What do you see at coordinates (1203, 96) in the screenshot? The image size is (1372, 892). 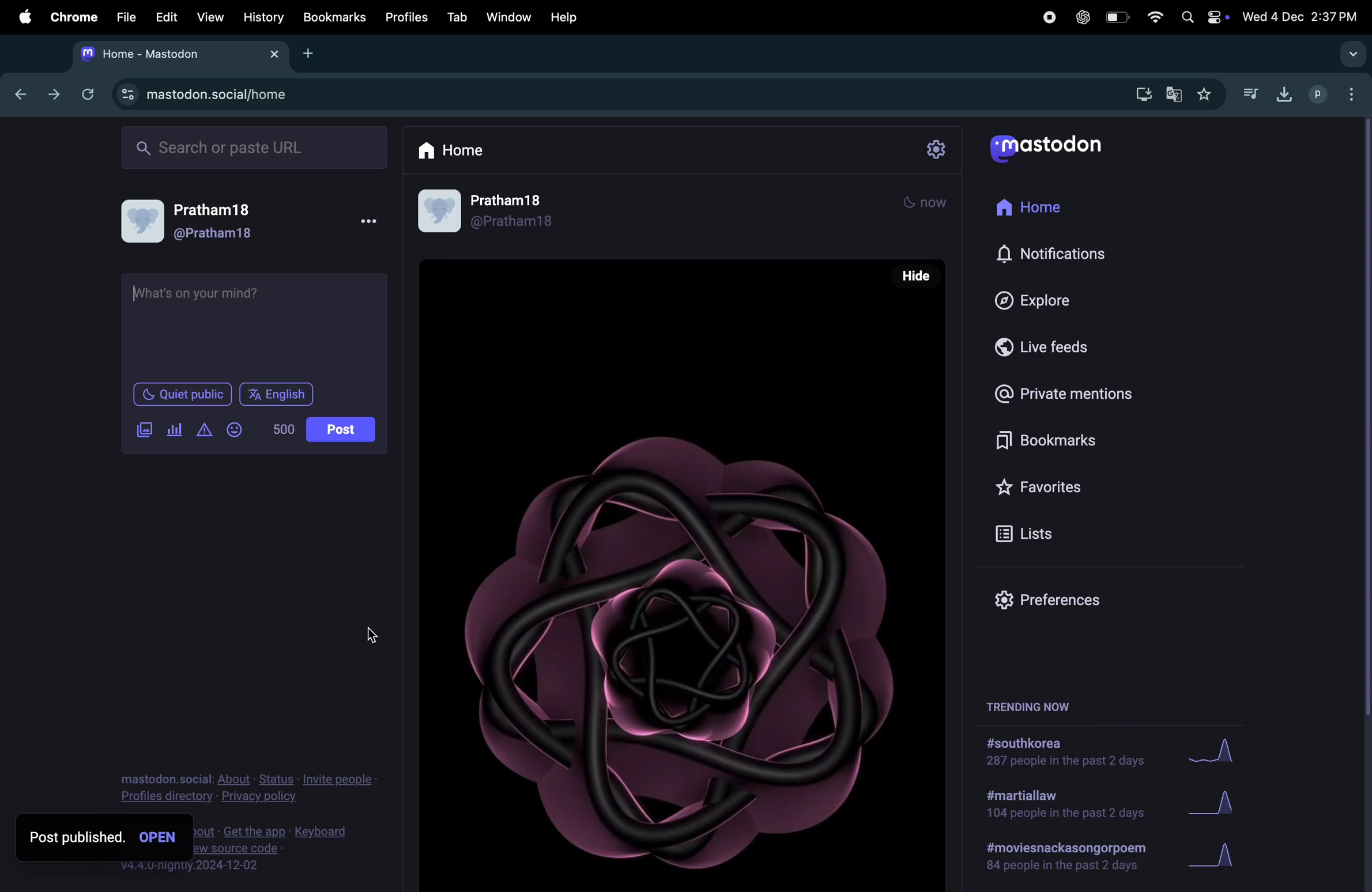 I see `favourites` at bounding box center [1203, 96].